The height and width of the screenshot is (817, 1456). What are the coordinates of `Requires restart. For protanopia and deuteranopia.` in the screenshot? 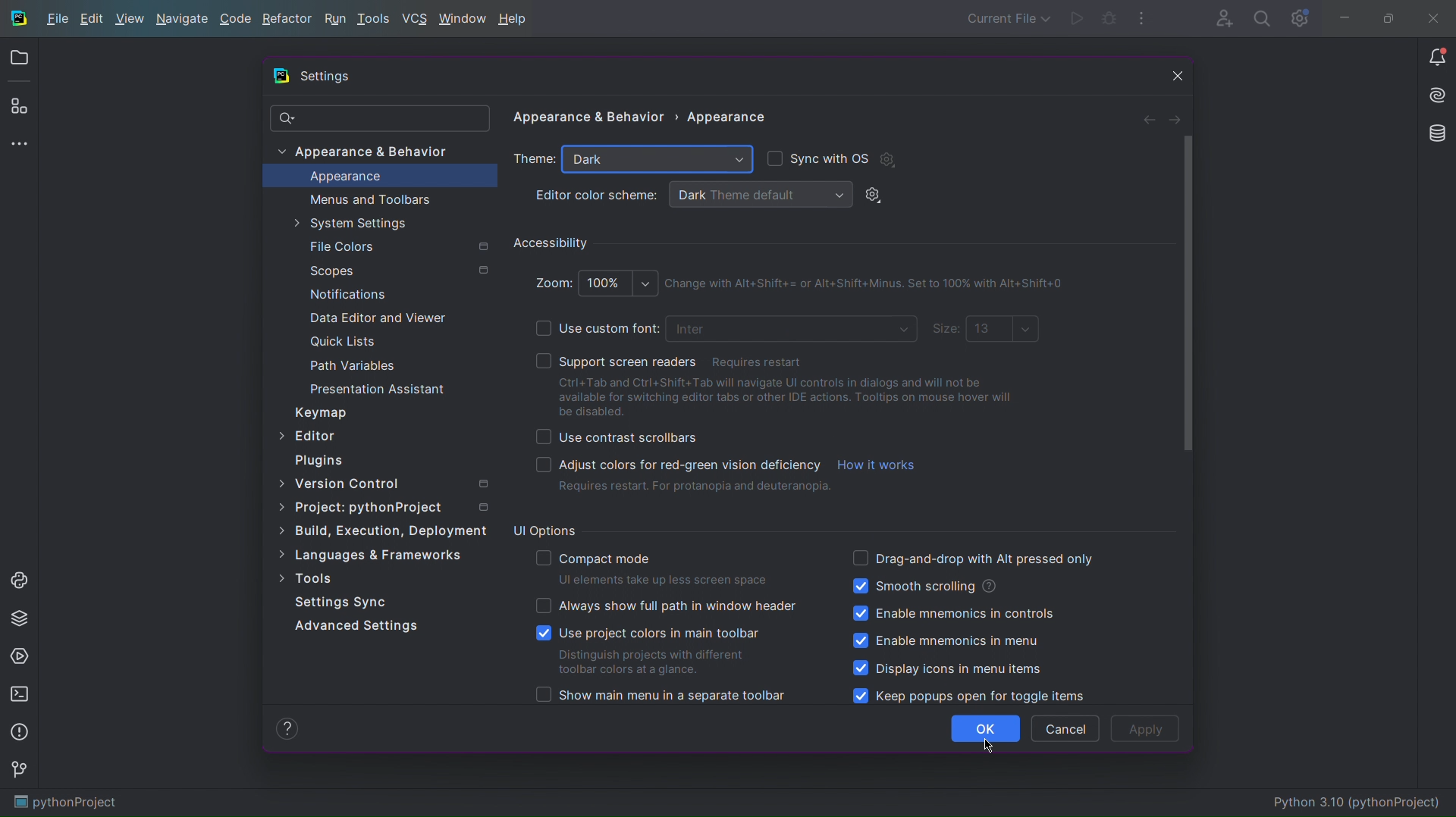 It's located at (695, 488).